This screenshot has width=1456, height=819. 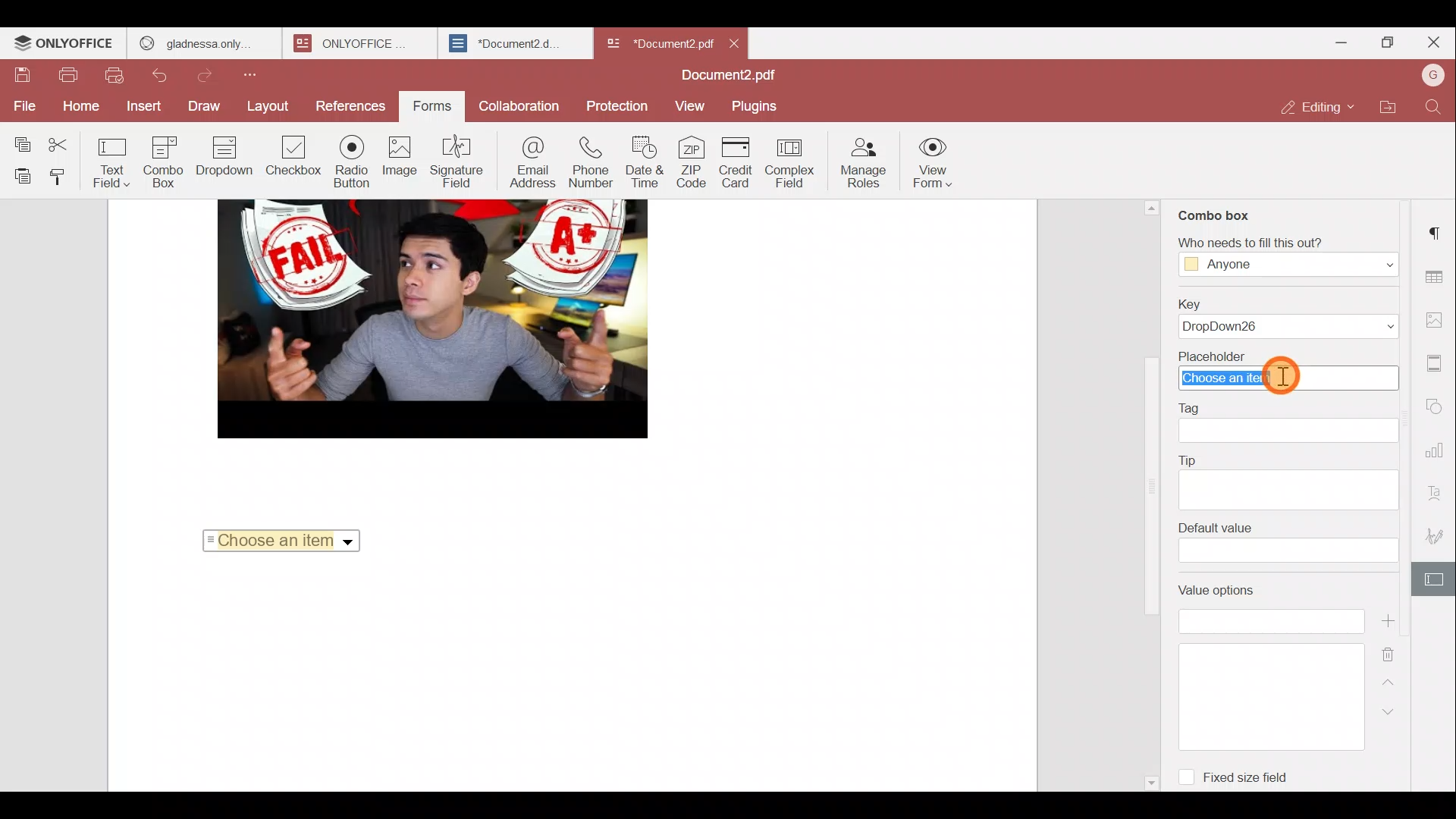 What do you see at coordinates (658, 42) in the screenshot?
I see `*Document2 pdf` at bounding box center [658, 42].